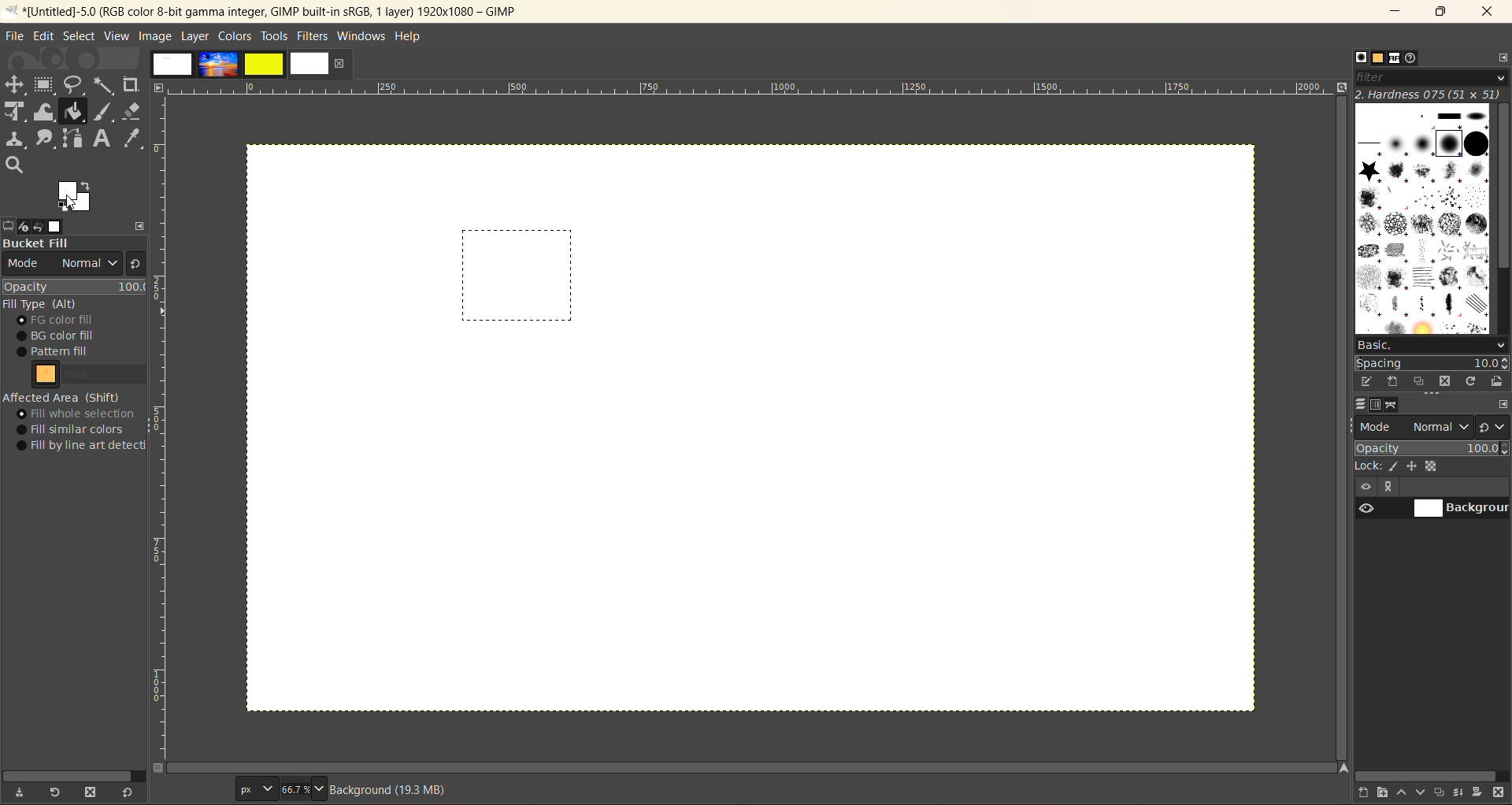 This screenshot has width=1512, height=805. I want to click on fonts, so click(1395, 59).